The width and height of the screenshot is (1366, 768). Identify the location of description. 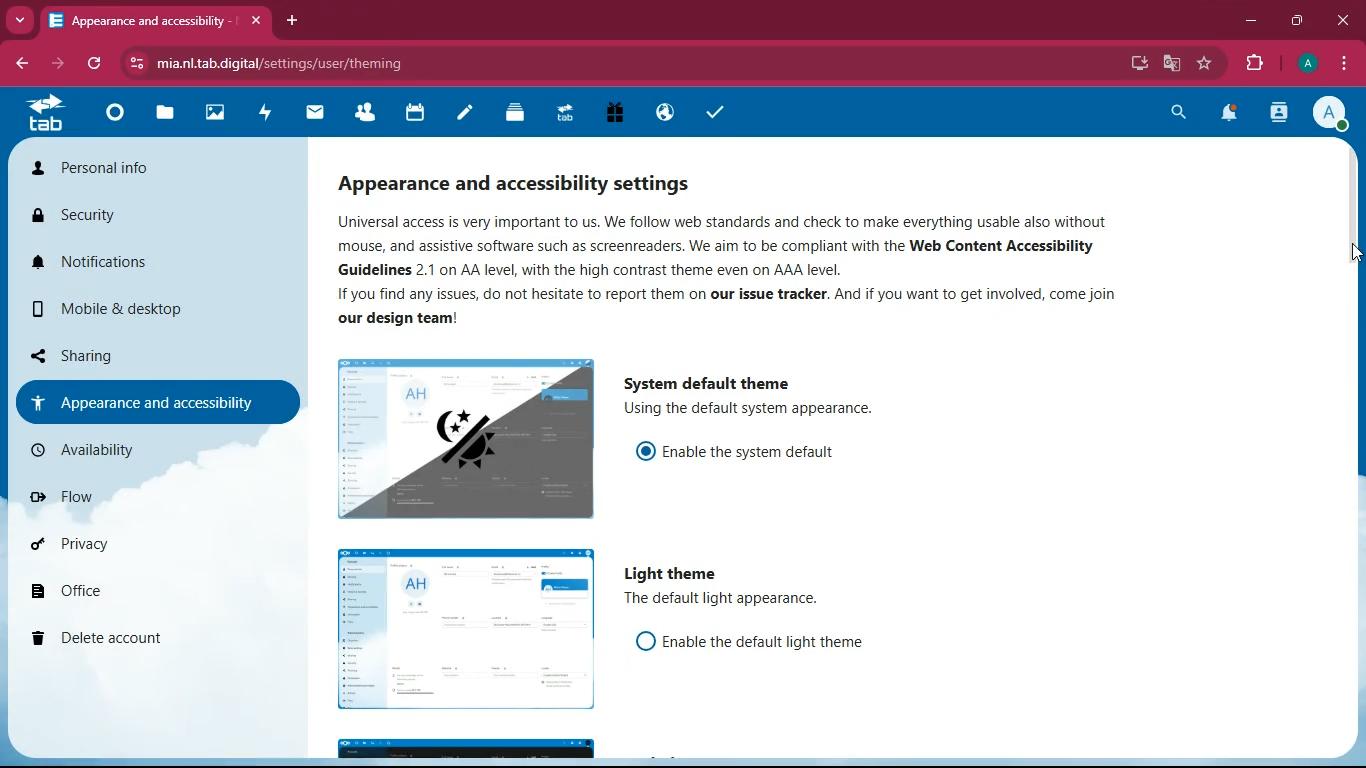
(773, 410).